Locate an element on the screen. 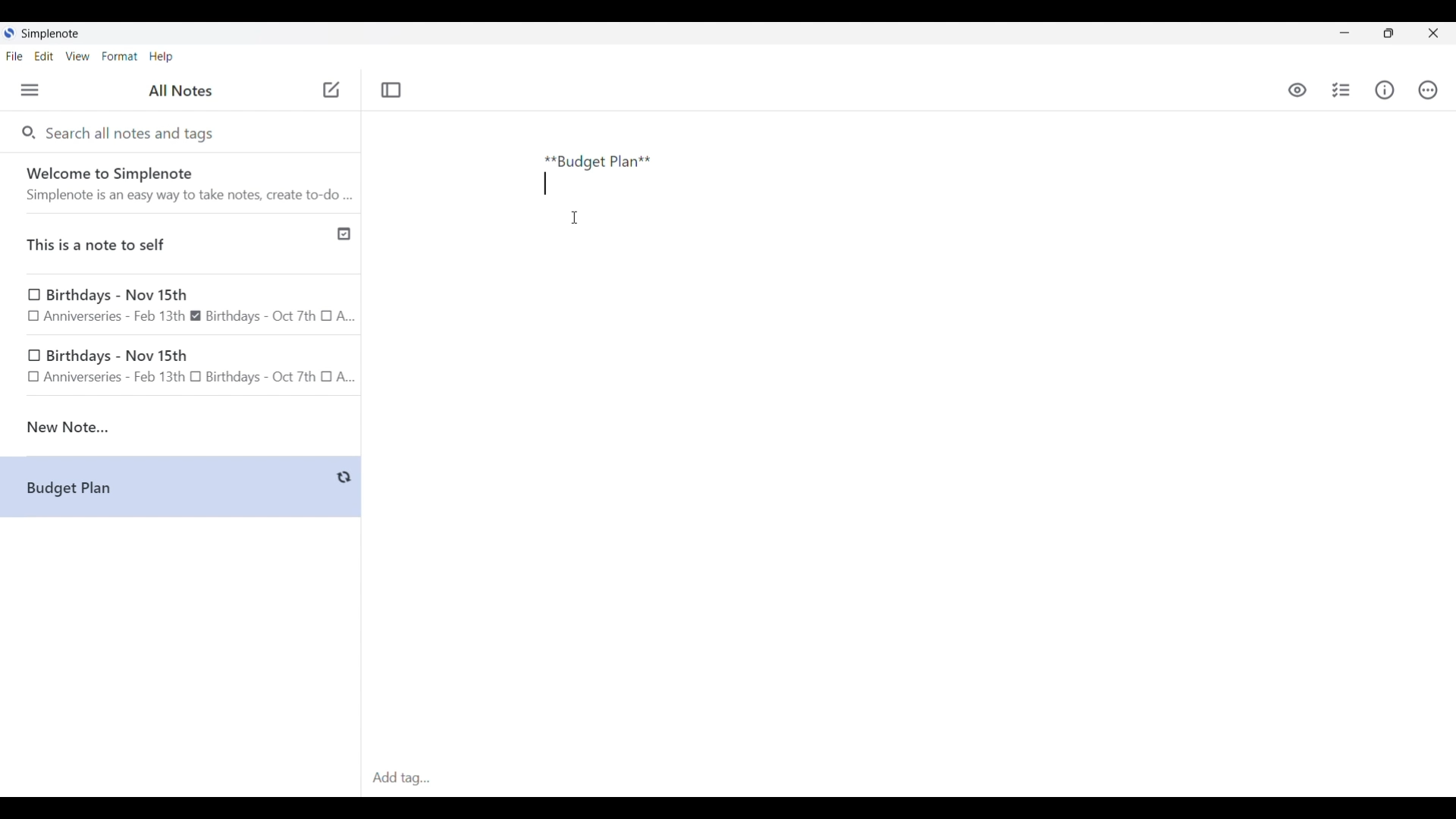 Image resolution: width=1456 pixels, height=819 pixels. View menu is located at coordinates (78, 55).